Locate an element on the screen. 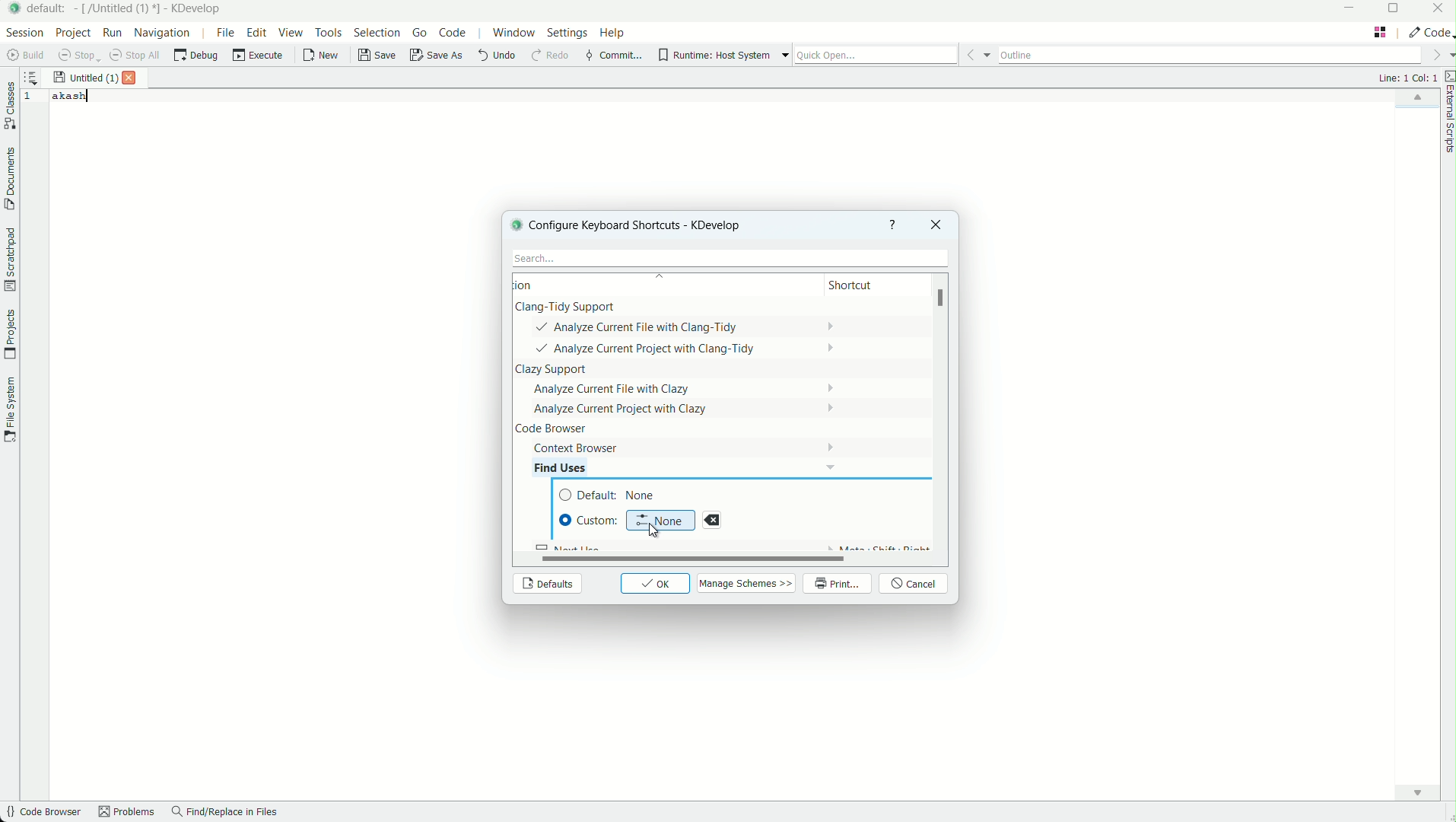 The image size is (1456, 822). logo is located at coordinates (514, 224).